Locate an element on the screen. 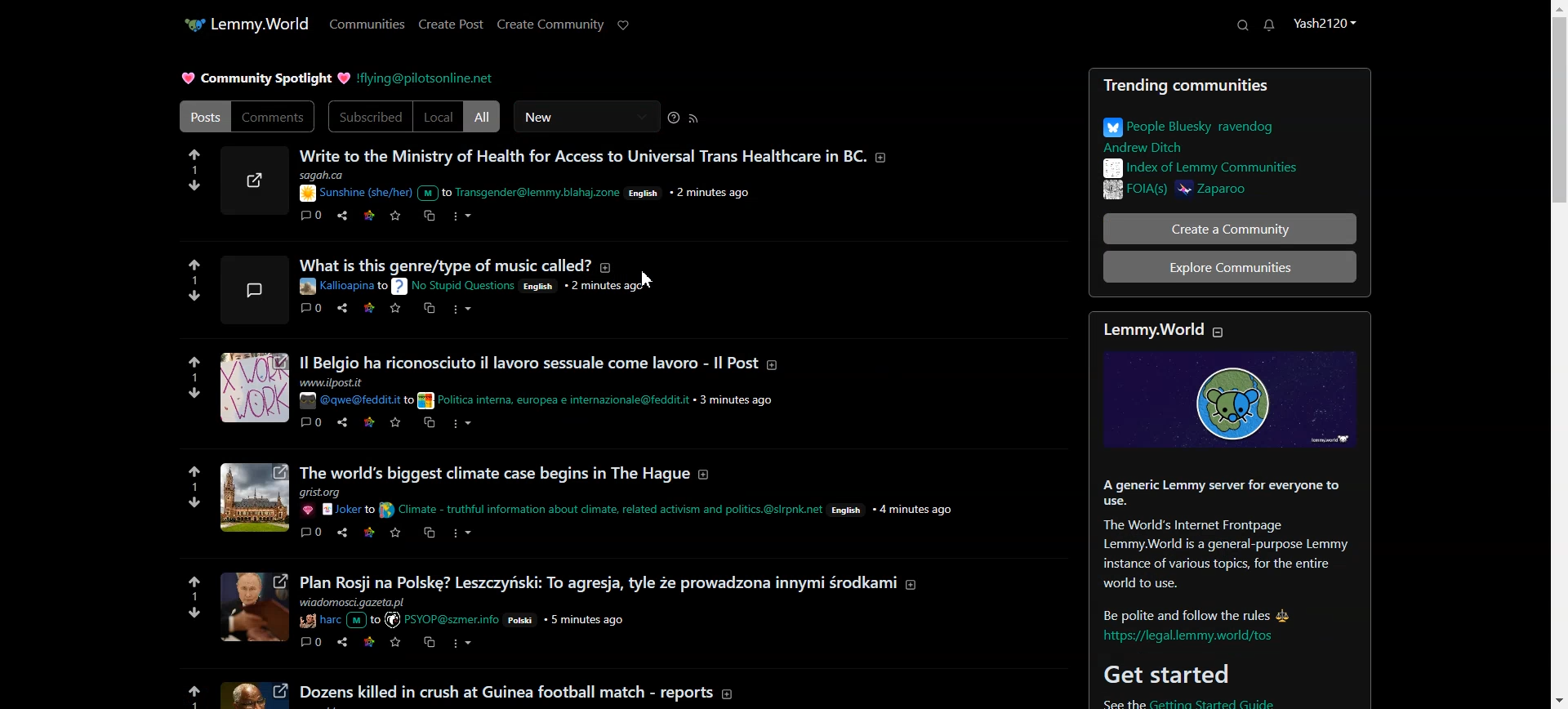 The width and height of the screenshot is (1568, 709). Hyperlink is located at coordinates (332, 192).